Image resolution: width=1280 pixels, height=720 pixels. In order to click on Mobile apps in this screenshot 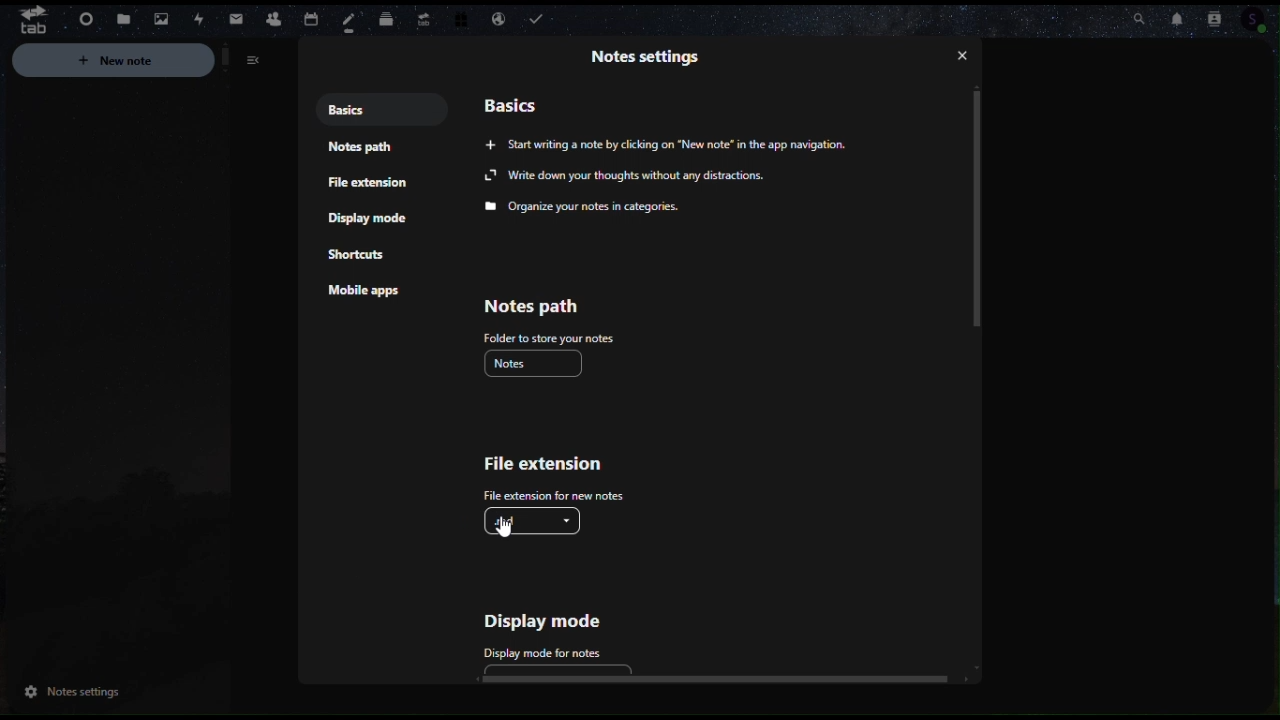, I will do `click(370, 294)`.